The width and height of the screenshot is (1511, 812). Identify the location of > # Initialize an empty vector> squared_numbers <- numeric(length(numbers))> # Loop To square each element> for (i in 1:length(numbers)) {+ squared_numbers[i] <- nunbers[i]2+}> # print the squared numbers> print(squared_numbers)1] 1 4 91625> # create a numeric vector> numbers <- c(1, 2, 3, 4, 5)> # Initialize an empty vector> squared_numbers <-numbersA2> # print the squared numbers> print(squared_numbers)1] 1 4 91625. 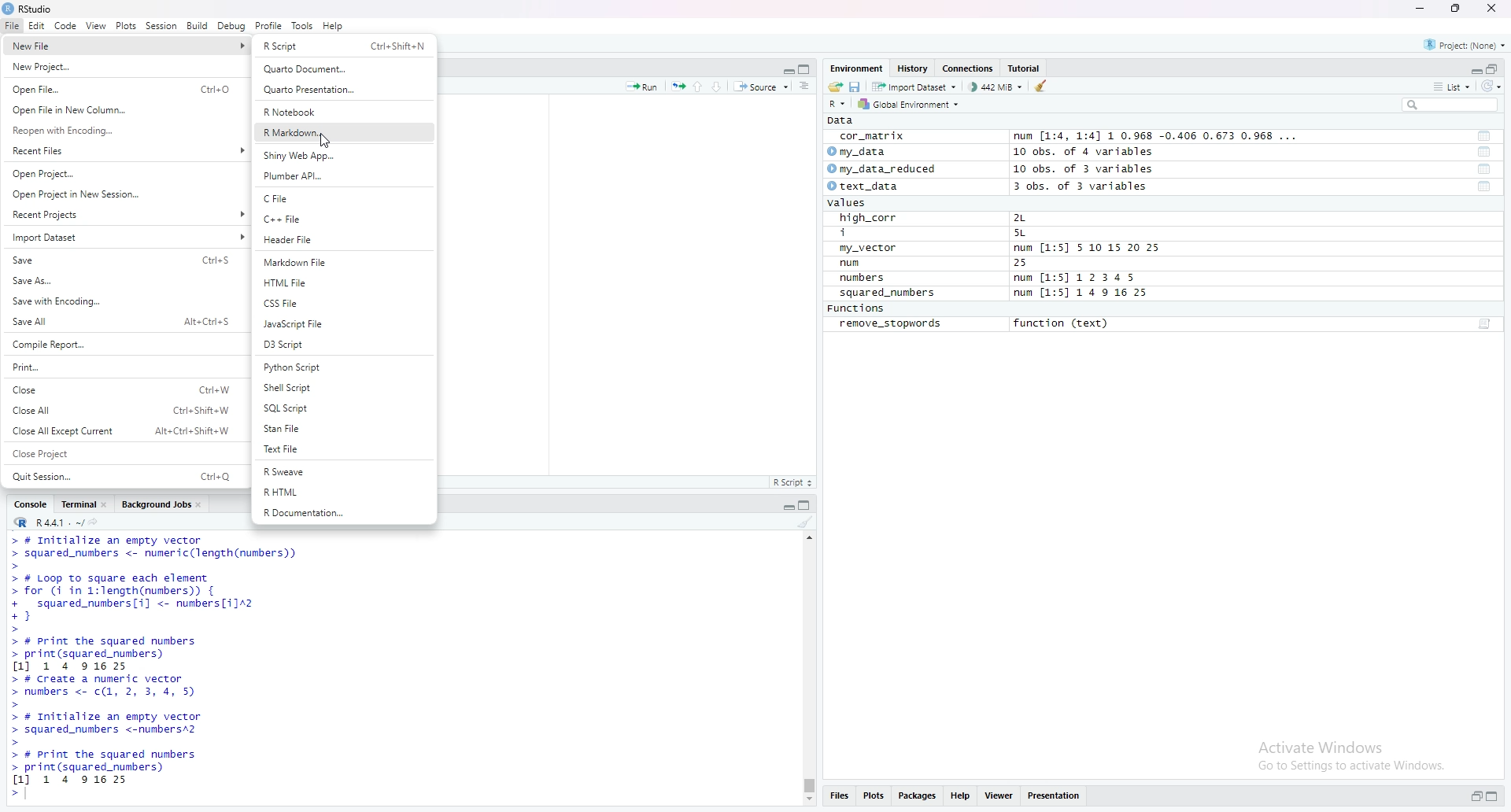
(168, 670).